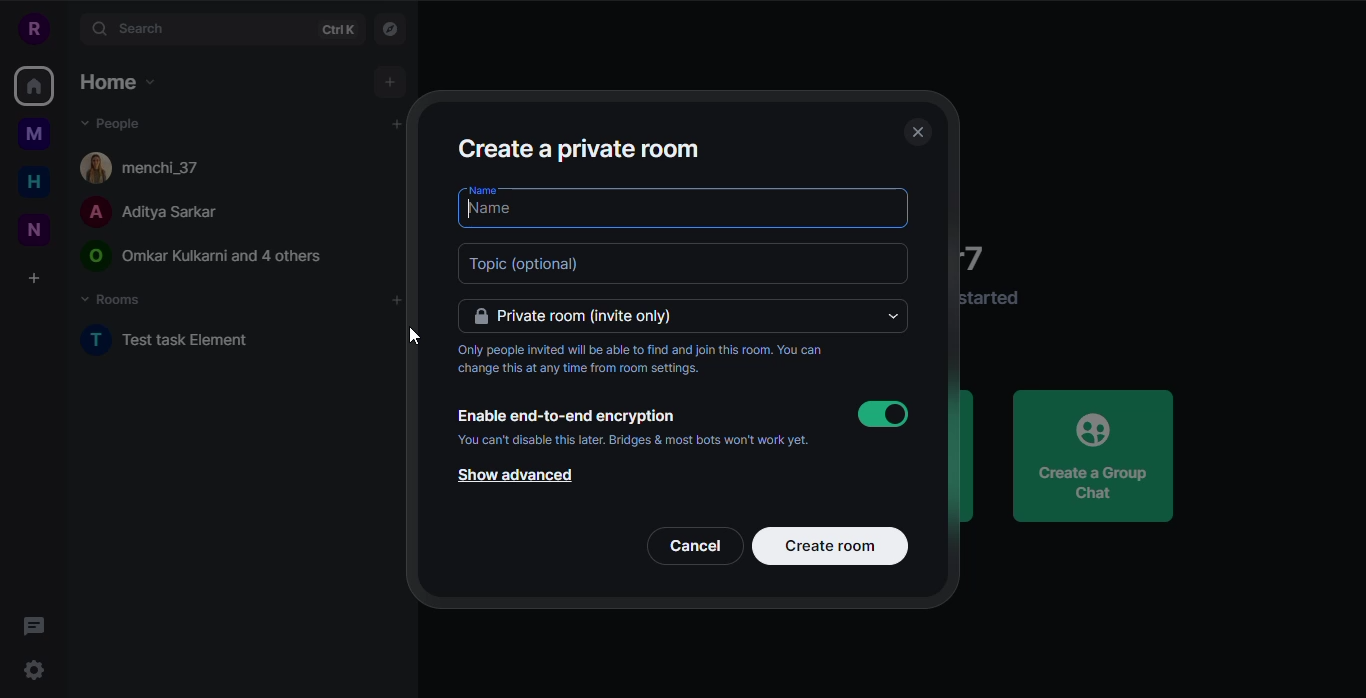  What do you see at coordinates (34, 134) in the screenshot?
I see `myspace` at bounding box center [34, 134].